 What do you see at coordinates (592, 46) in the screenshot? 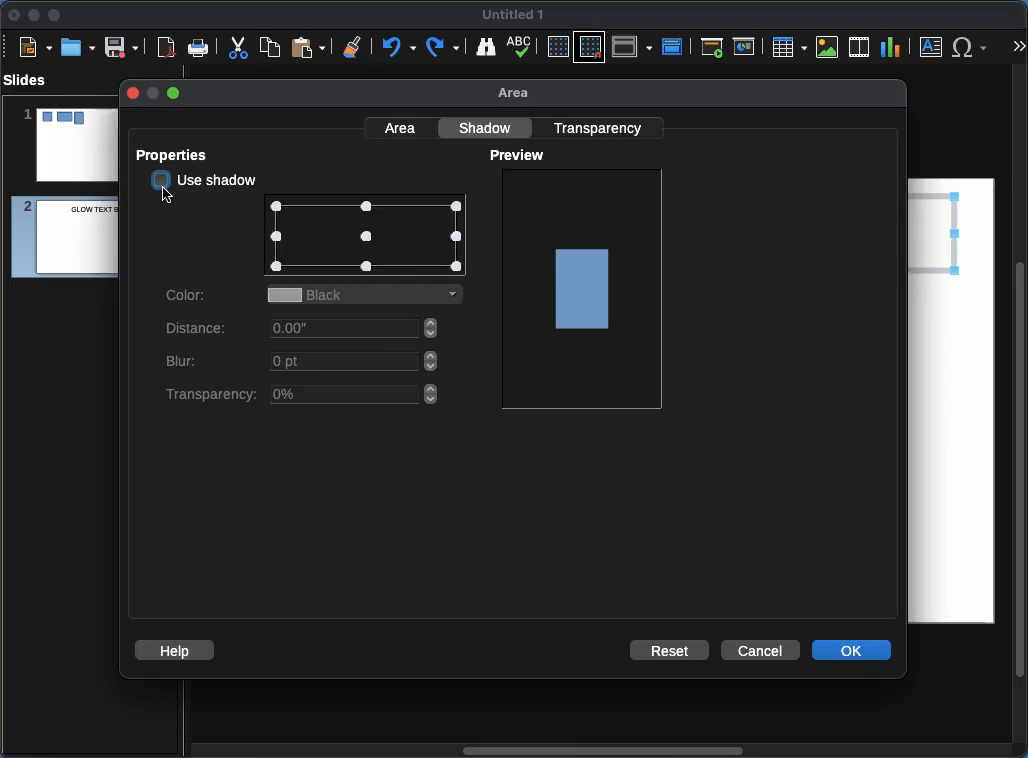
I see `Snap to grid` at bounding box center [592, 46].